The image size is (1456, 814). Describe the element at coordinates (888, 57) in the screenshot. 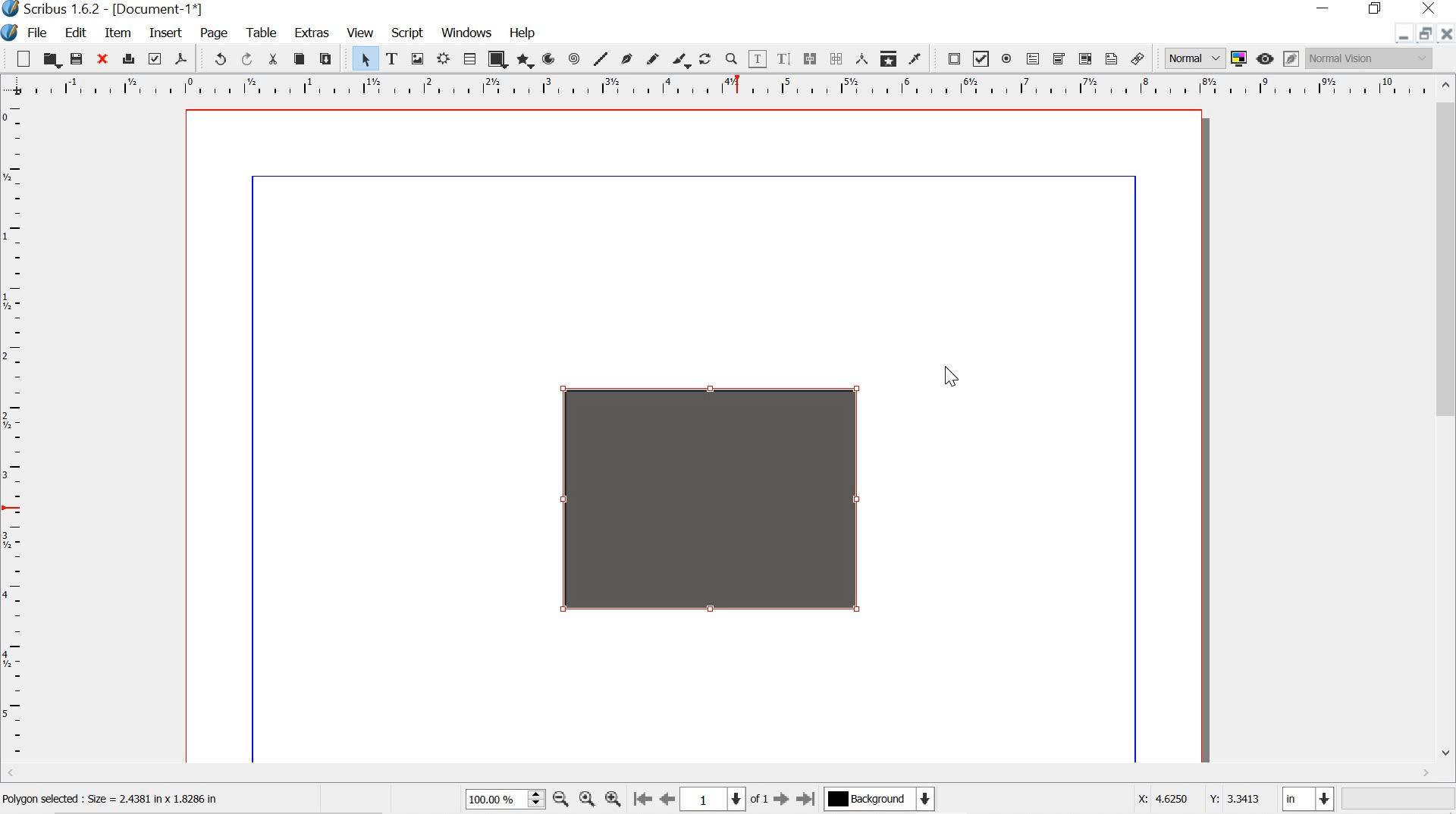

I see `copy item properties` at that location.